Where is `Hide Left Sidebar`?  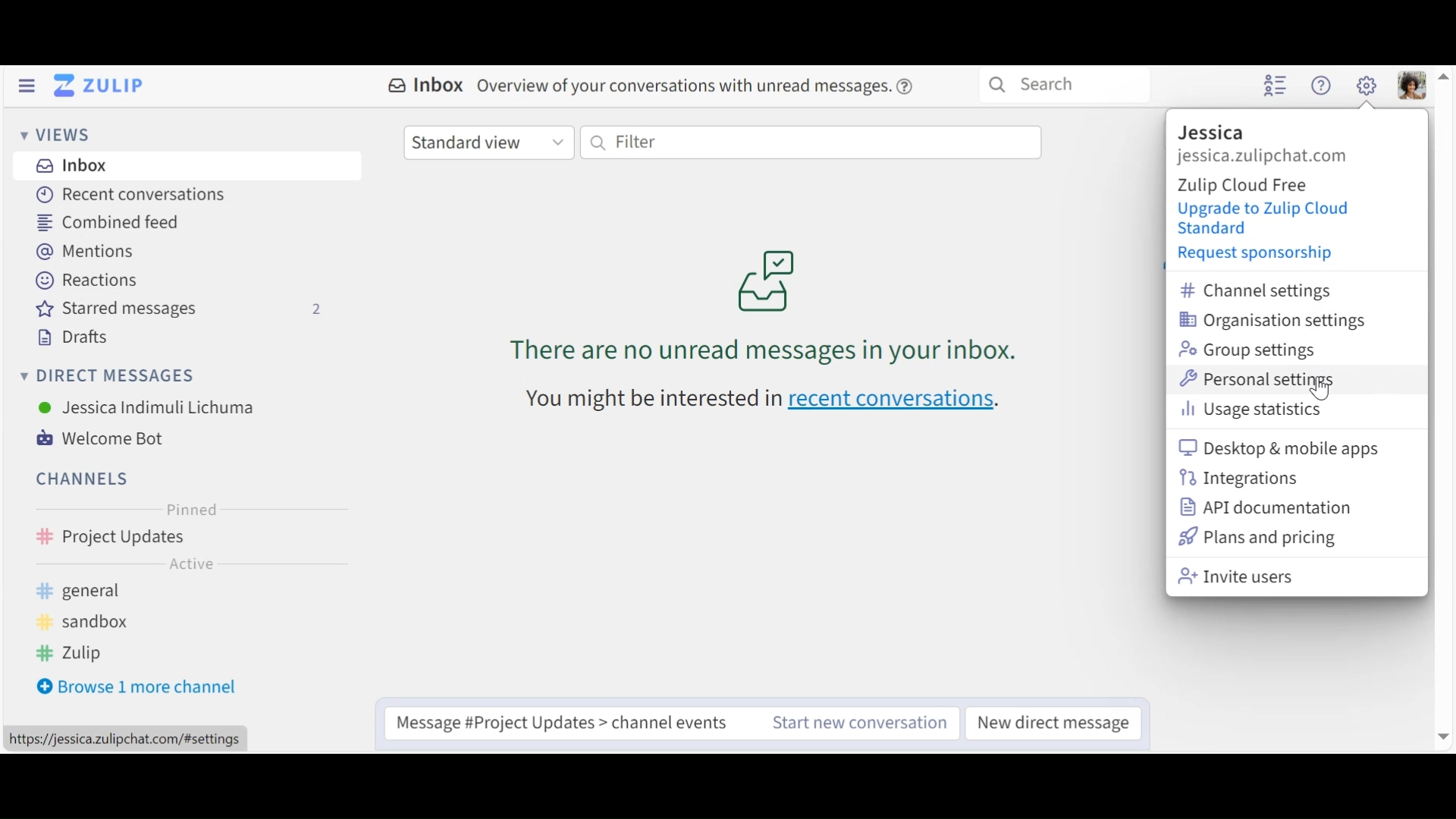 Hide Left Sidebar is located at coordinates (27, 86).